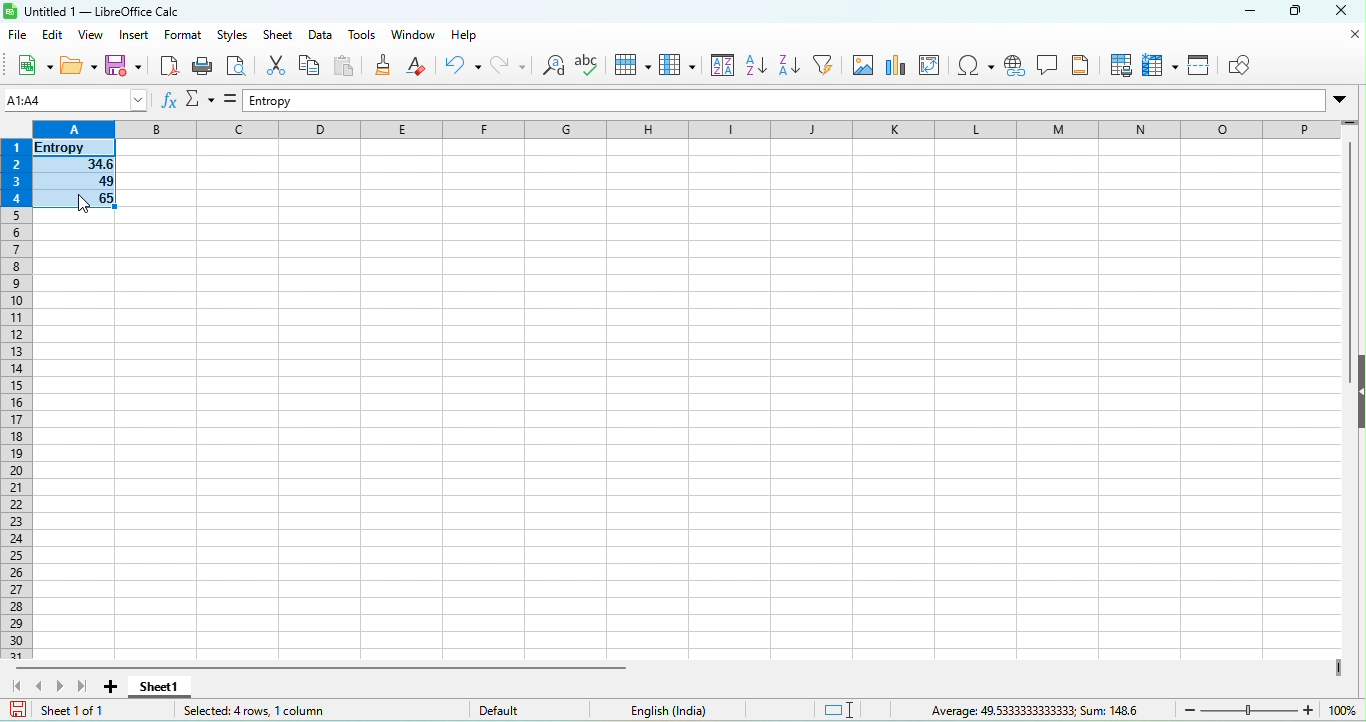 The height and width of the screenshot is (722, 1366). Describe the element at coordinates (205, 67) in the screenshot. I see `print` at that location.